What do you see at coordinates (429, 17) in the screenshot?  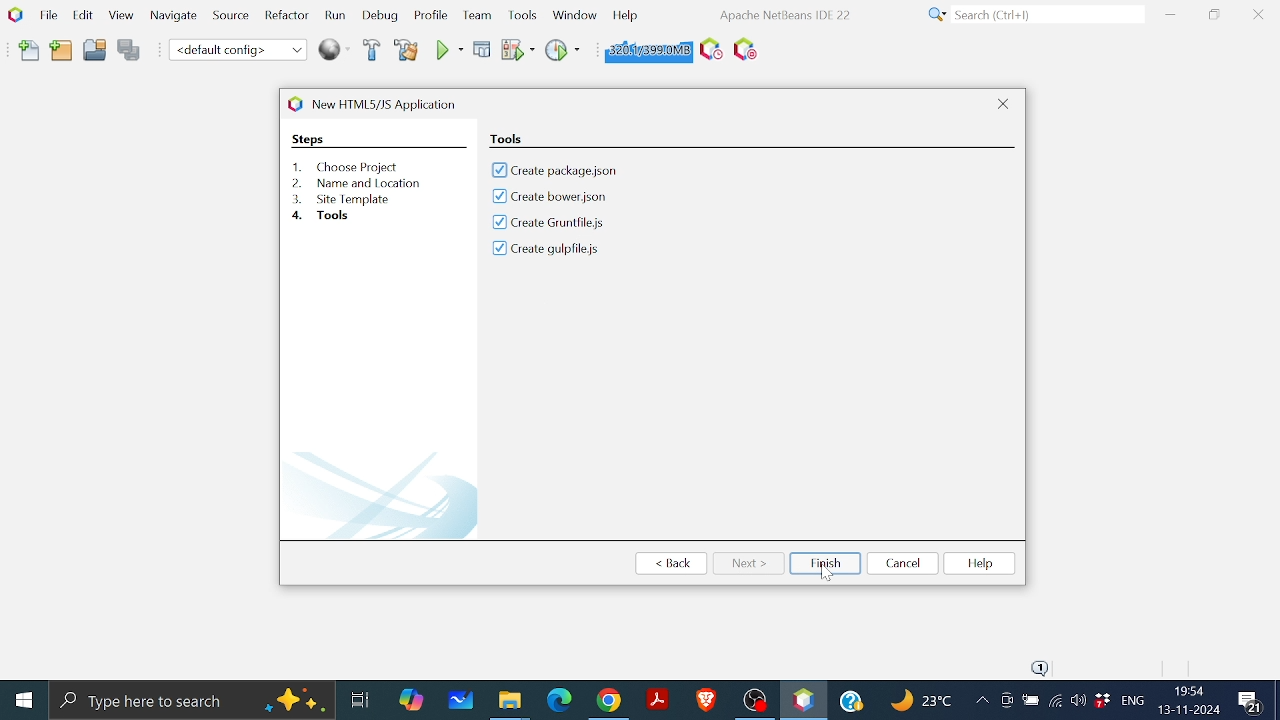 I see `Profile` at bounding box center [429, 17].